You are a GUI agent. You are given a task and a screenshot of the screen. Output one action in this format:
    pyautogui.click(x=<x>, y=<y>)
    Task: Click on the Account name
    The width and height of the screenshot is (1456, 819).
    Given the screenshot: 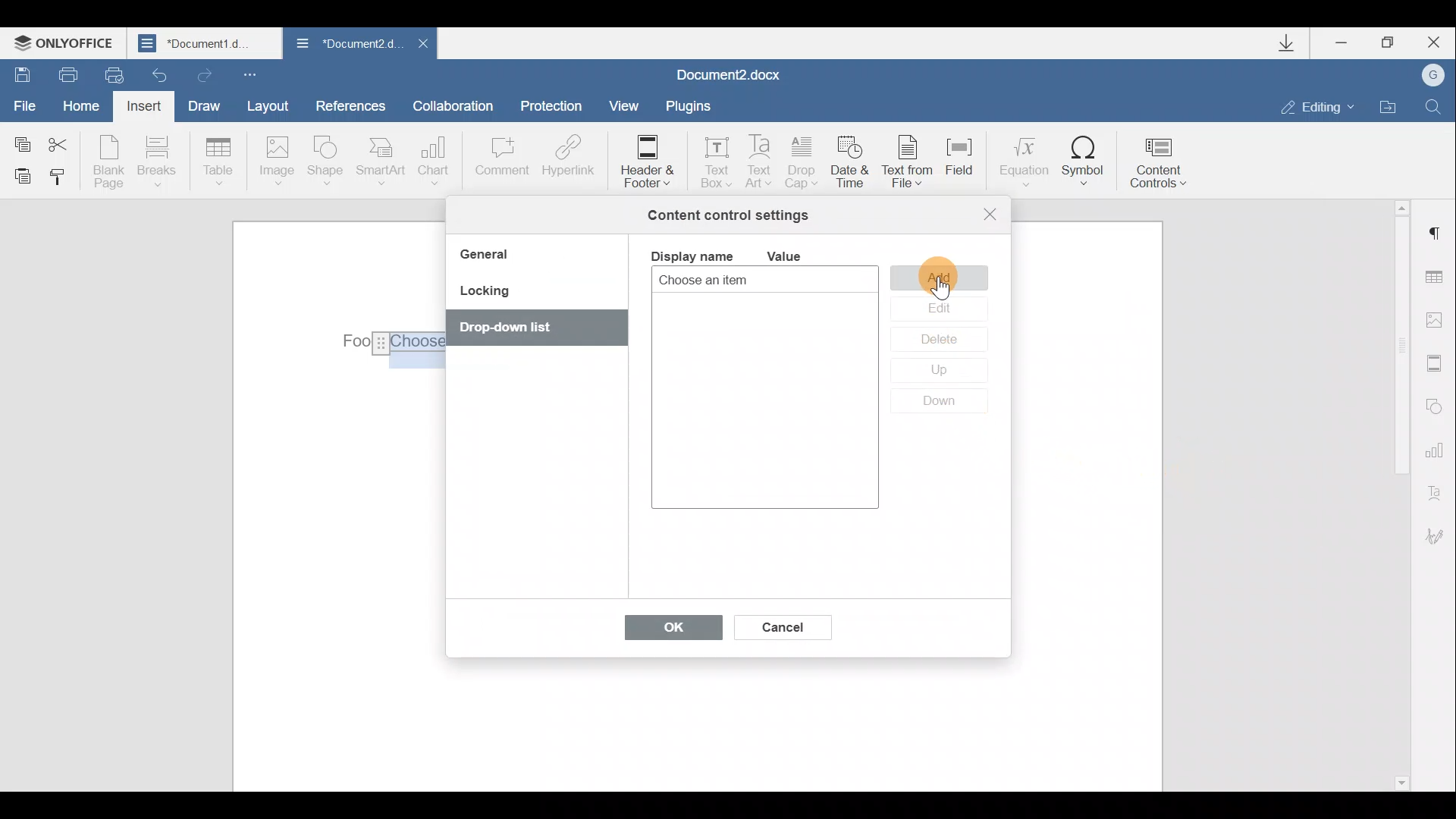 What is the action you would take?
    pyautogui.click(x=1428, y=76)
    